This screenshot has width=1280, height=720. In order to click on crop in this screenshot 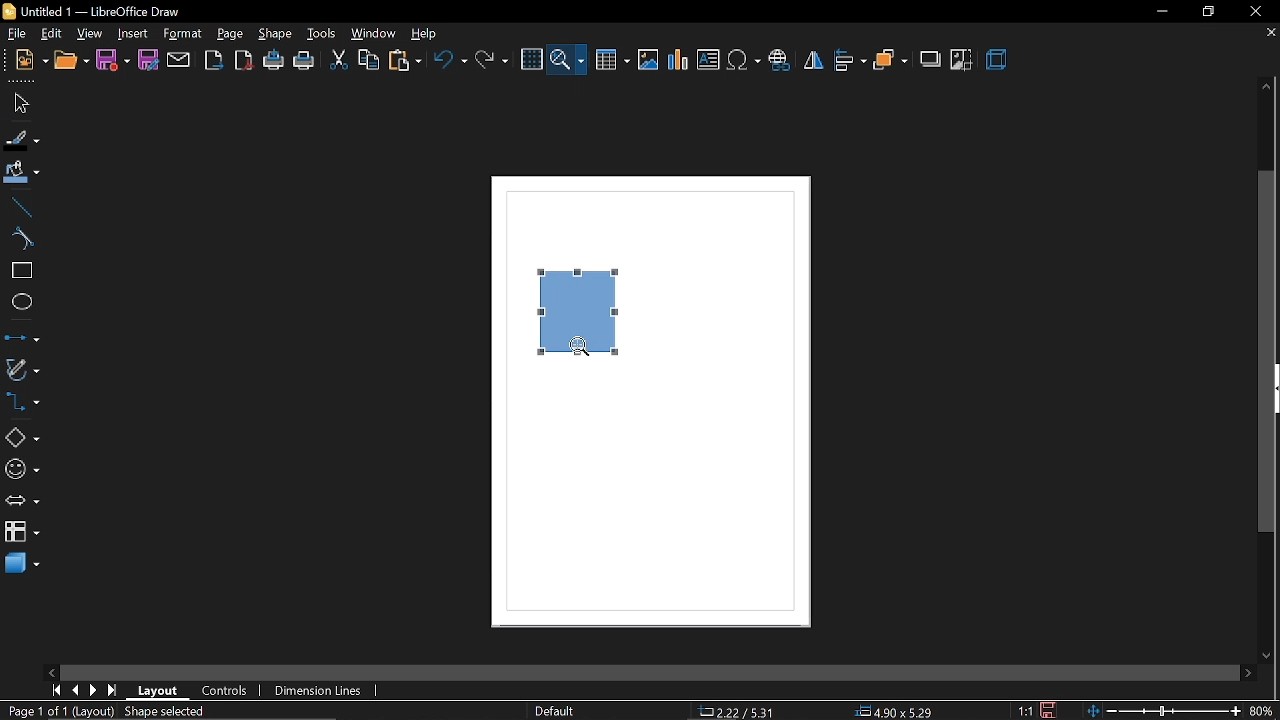, I will do `click(962, 61)`.